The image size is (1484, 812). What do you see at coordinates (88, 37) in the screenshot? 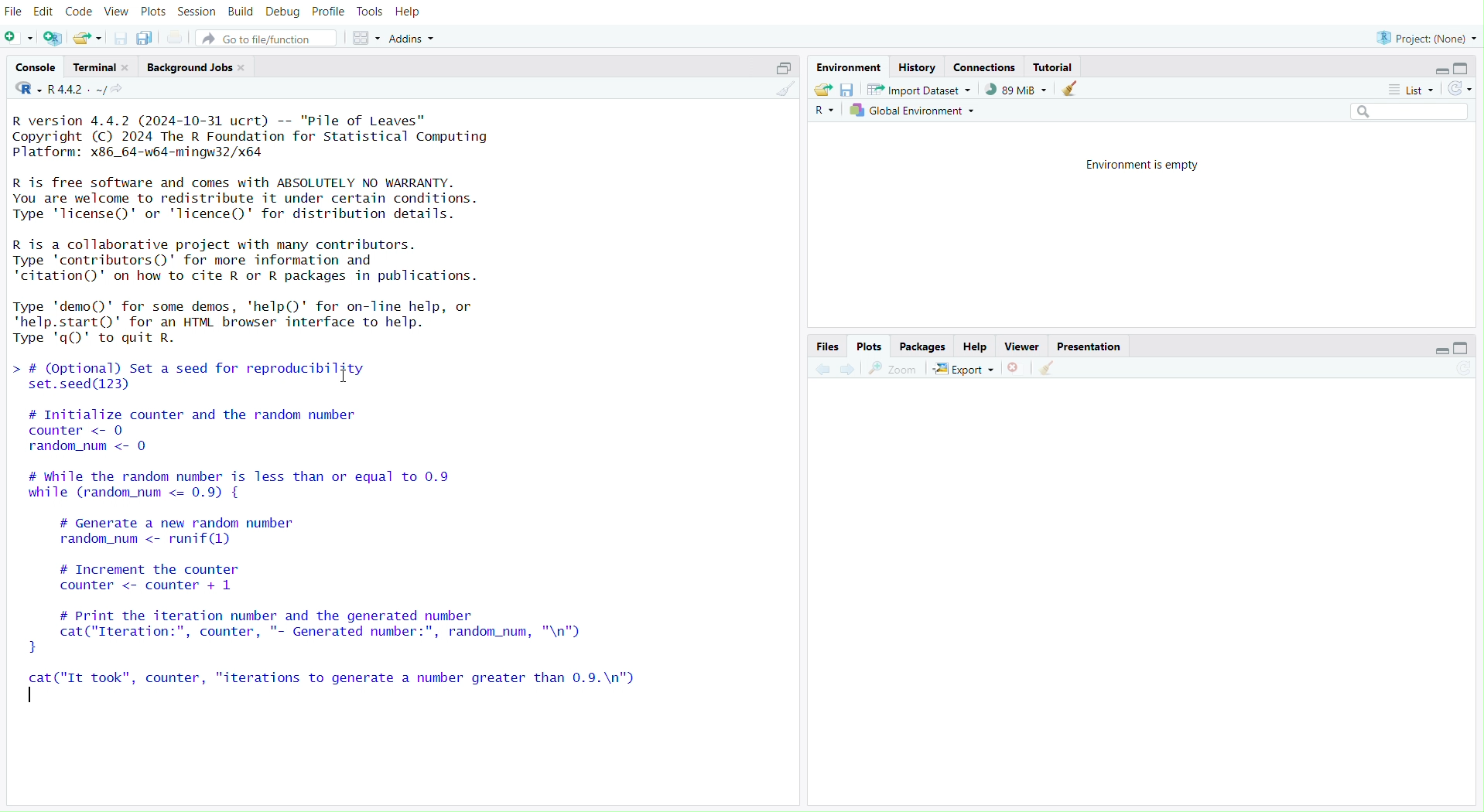
I see `Open an existing file (Ctrl + O)` at bounding box center [88, 37].